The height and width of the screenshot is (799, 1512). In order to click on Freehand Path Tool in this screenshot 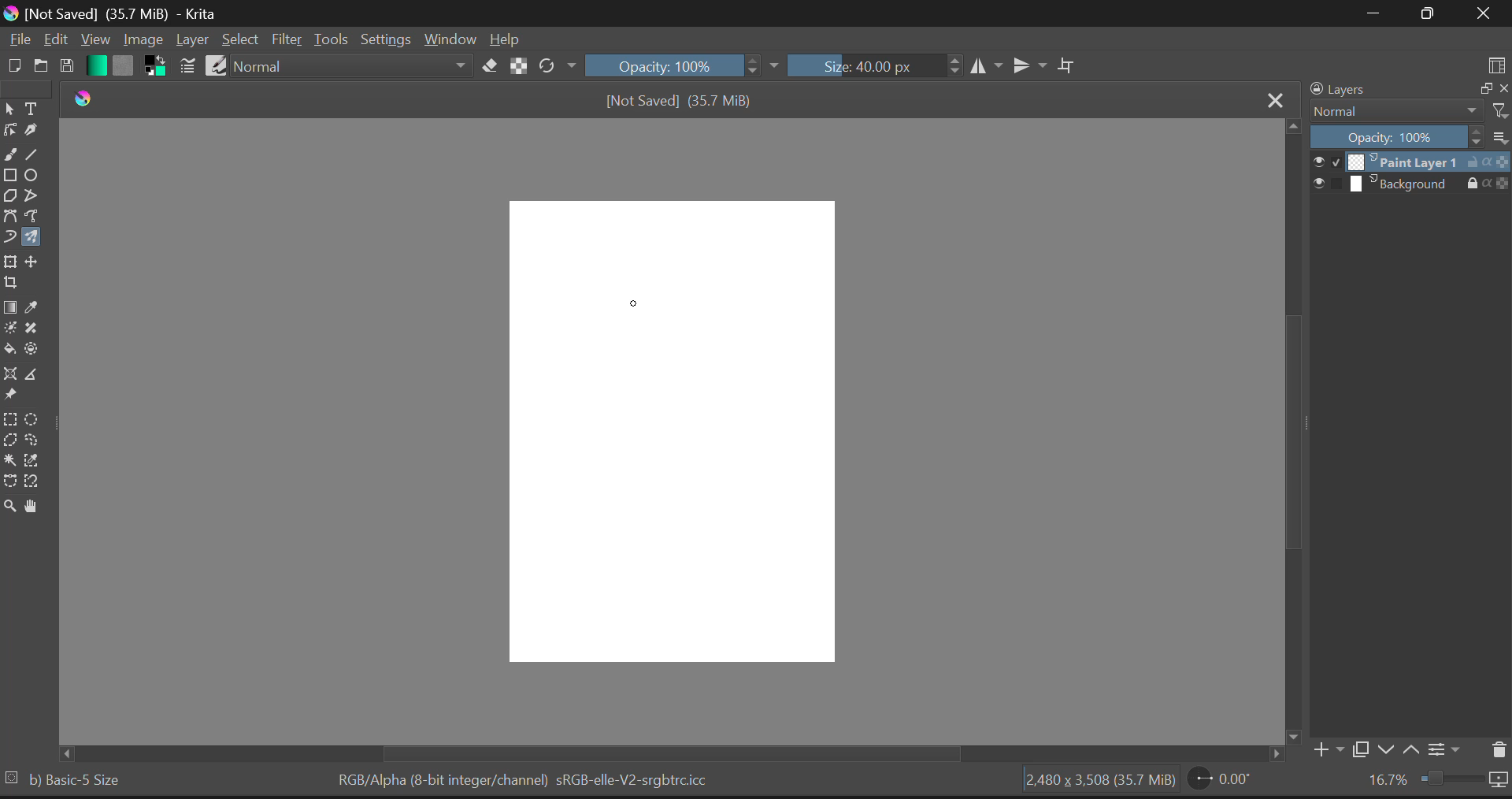, I will do `click(34, 214)`.